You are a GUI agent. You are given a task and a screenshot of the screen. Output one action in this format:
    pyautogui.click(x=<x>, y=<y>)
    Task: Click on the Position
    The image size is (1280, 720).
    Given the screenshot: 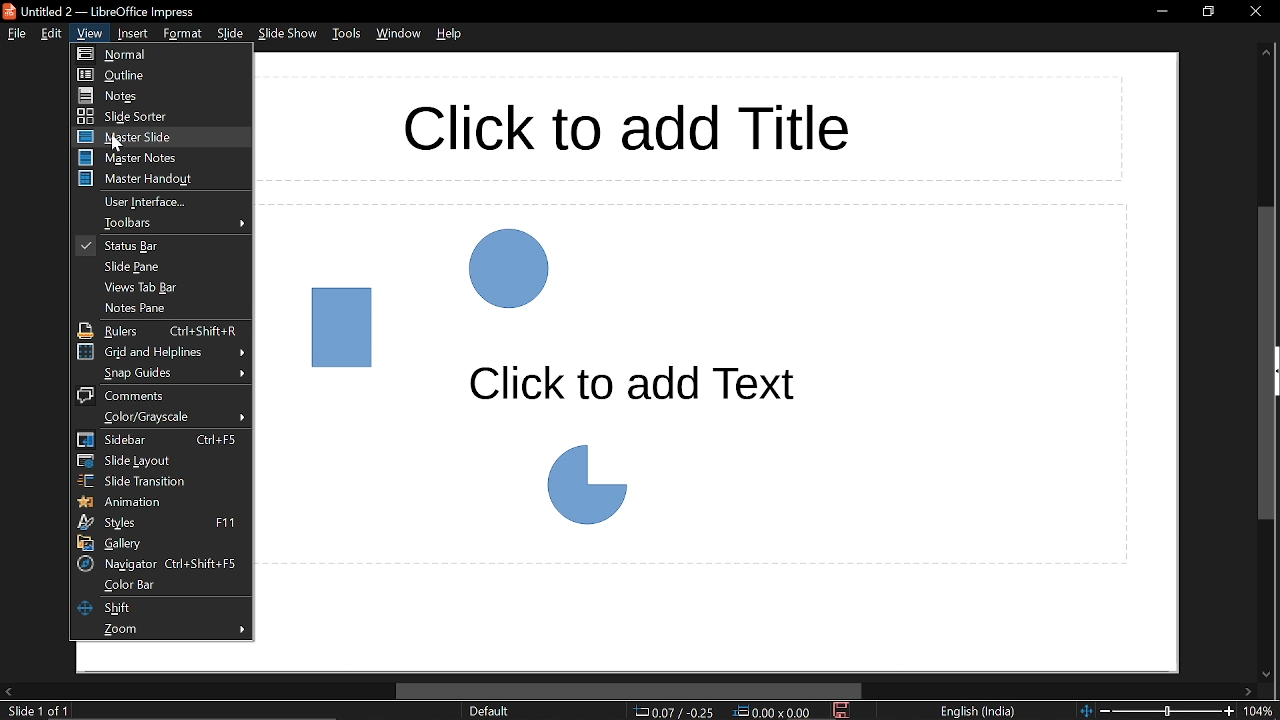 What is the action you would take?
    pyautogui.click(x=675, y=712)
    